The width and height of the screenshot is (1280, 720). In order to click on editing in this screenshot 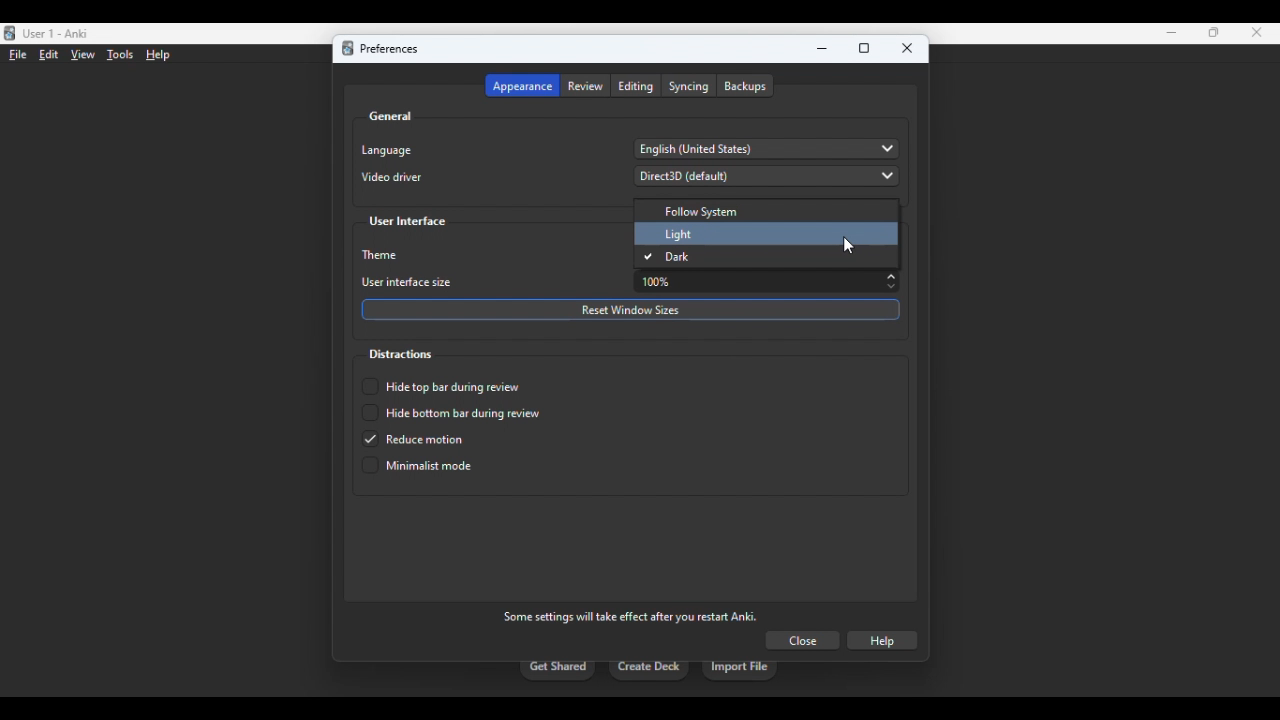, I will do `click(637, 86)`.